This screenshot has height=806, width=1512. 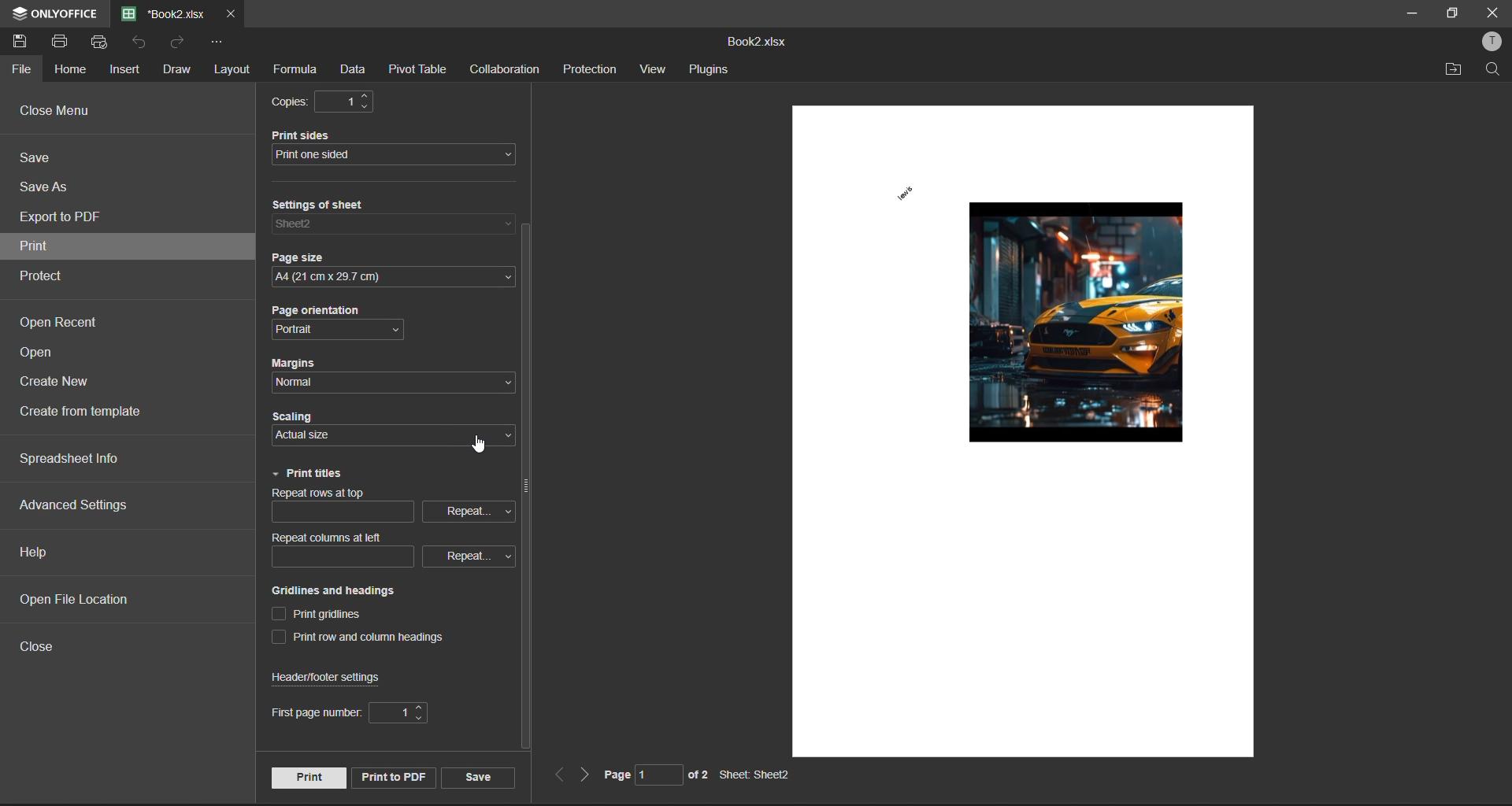 I want to click on draw, so click(x=177, y=70).